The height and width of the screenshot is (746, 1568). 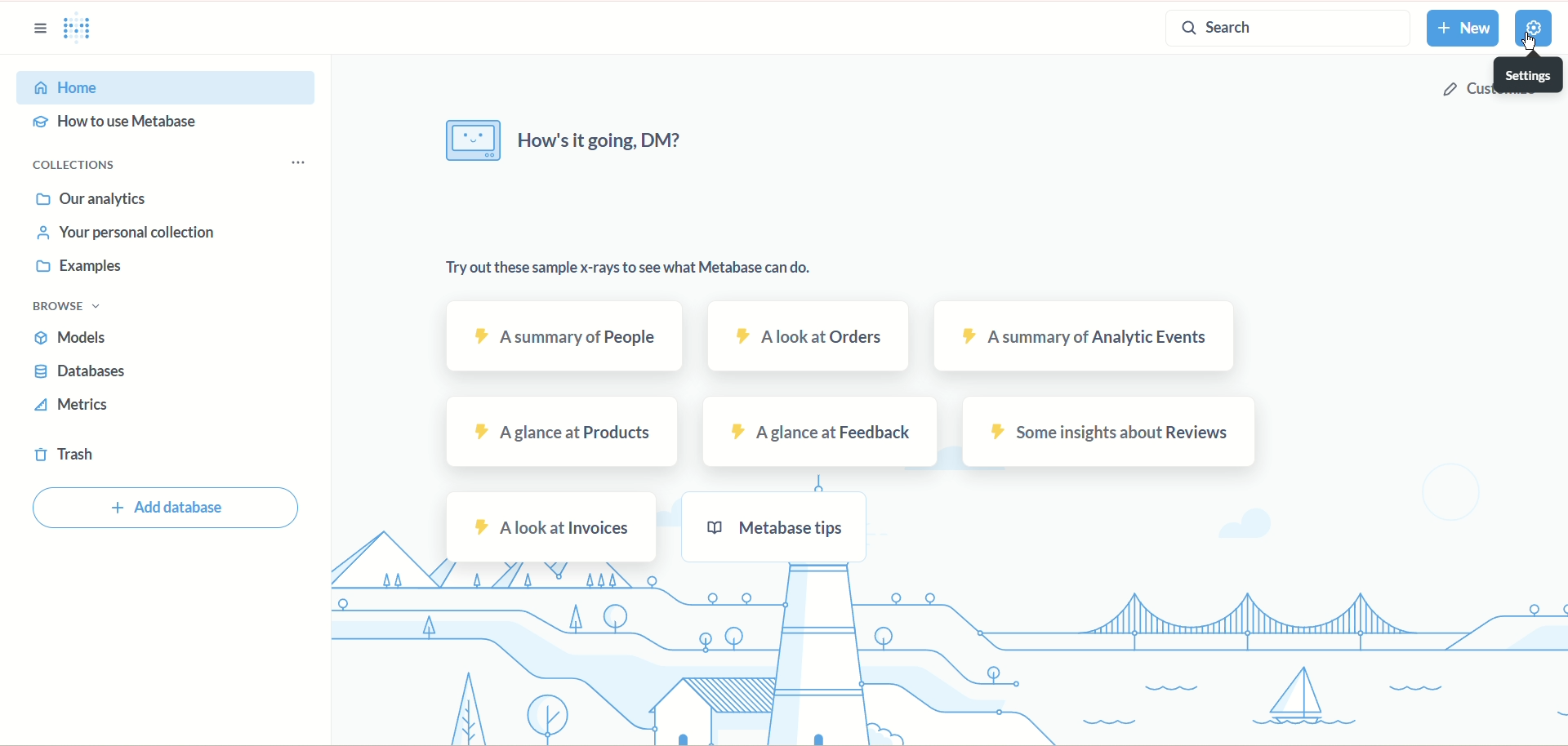 I want to click on metrics, so click(x=78, y=406).